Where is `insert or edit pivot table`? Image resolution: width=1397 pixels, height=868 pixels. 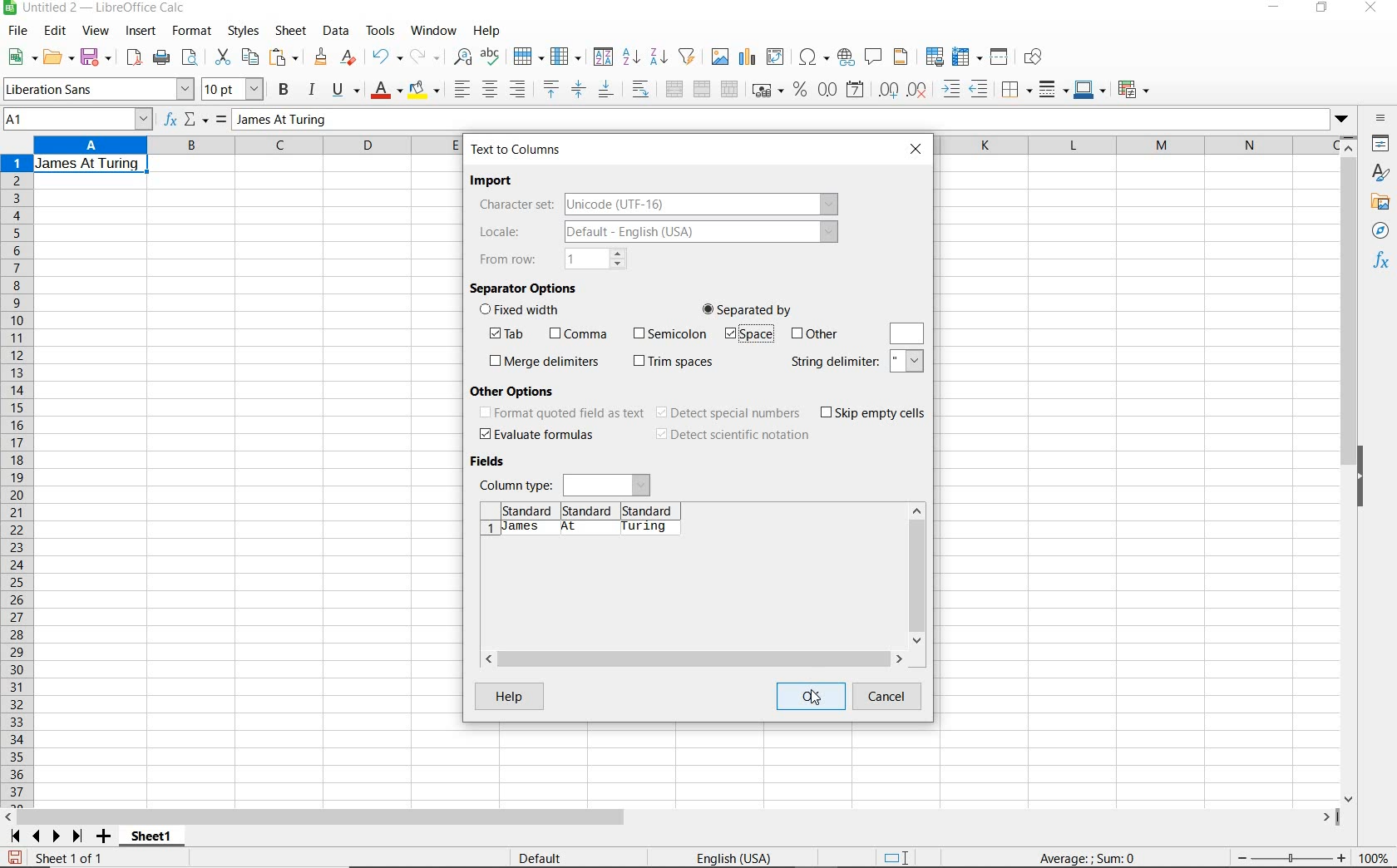 insert or edit pivot table is located at coordinates (778, 58).